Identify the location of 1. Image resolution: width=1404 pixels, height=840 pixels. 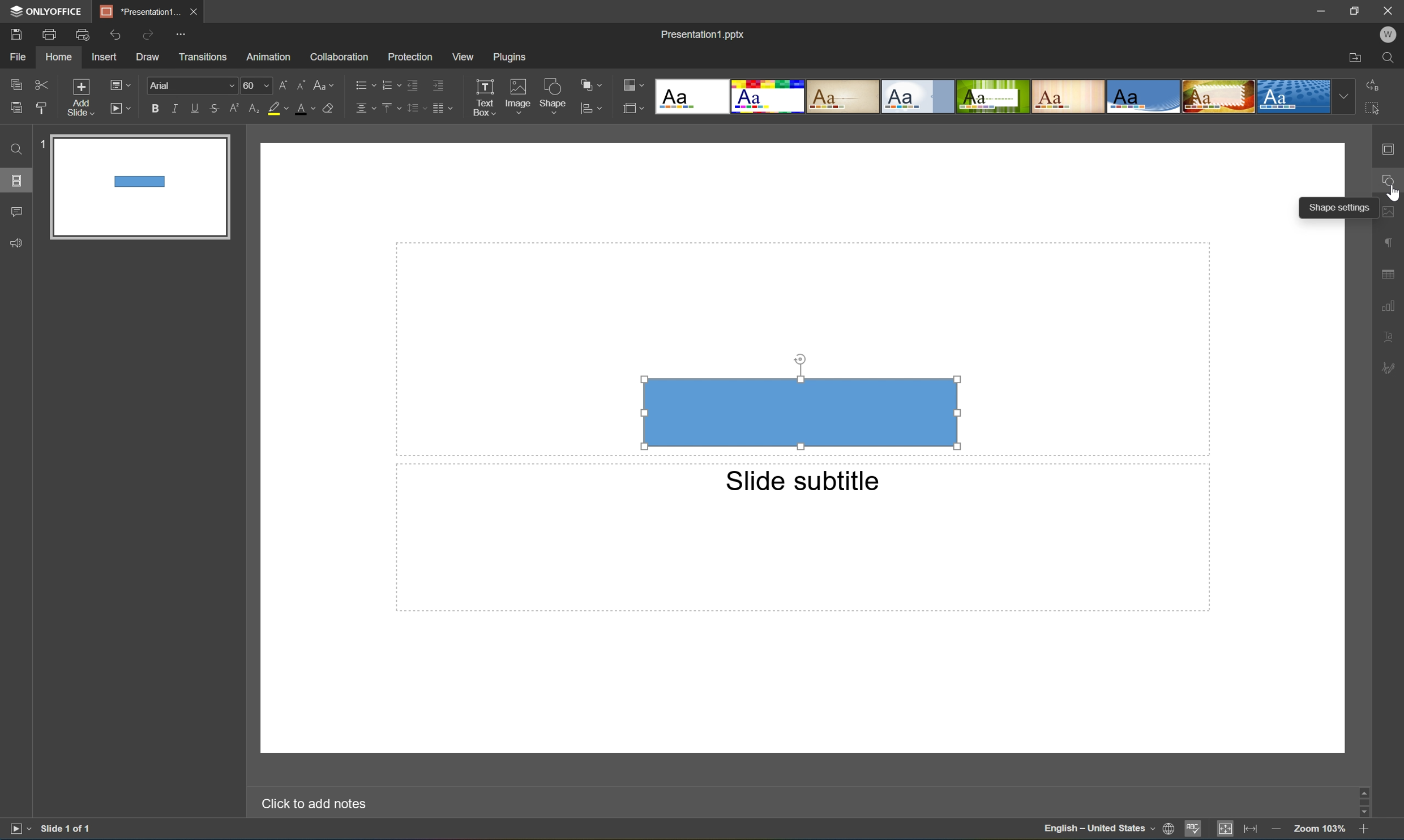
(38, 146).